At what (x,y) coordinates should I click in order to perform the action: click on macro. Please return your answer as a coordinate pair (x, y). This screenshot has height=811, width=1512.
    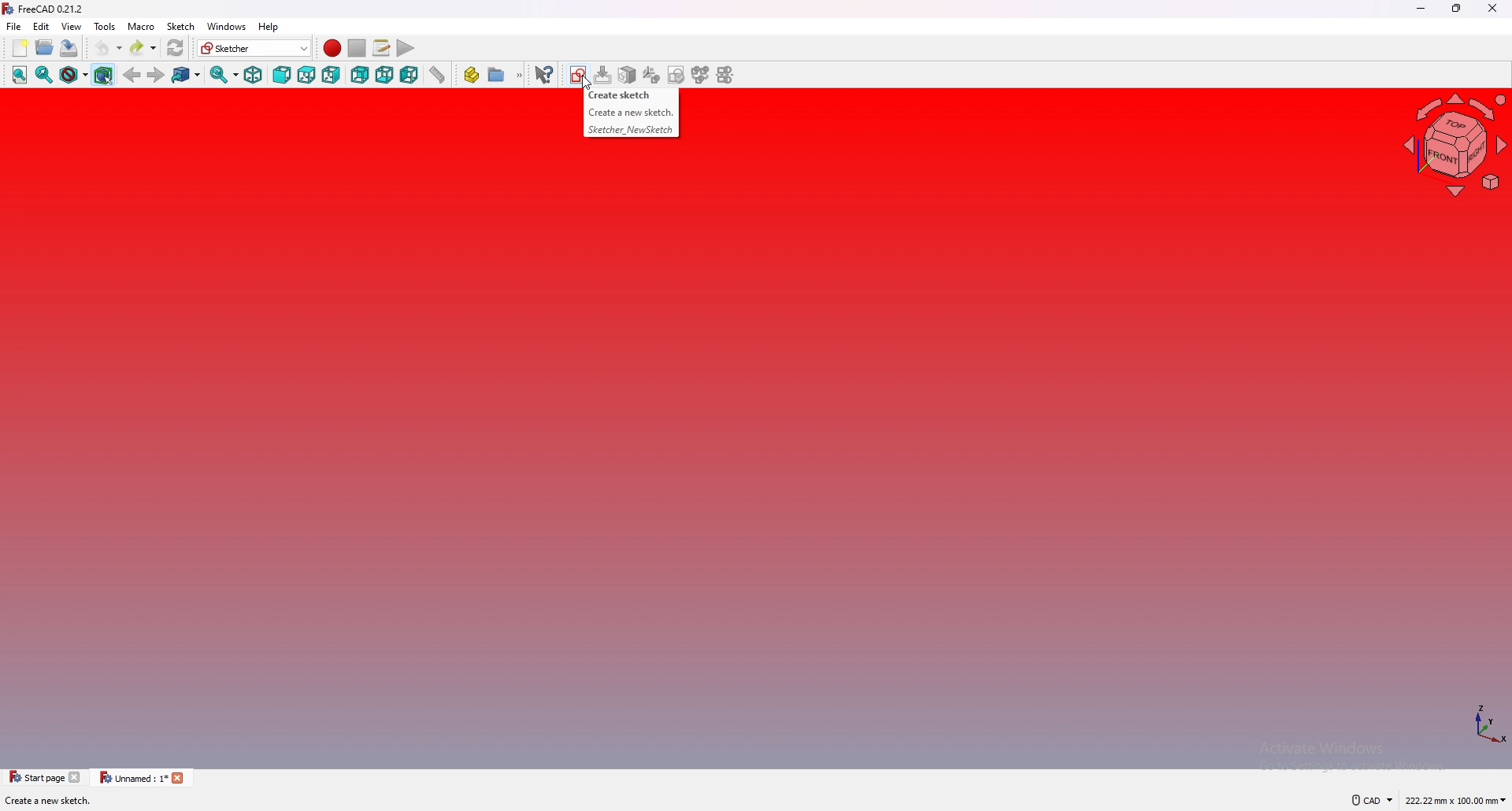
    Looking at the image, I should click on (142, 26).